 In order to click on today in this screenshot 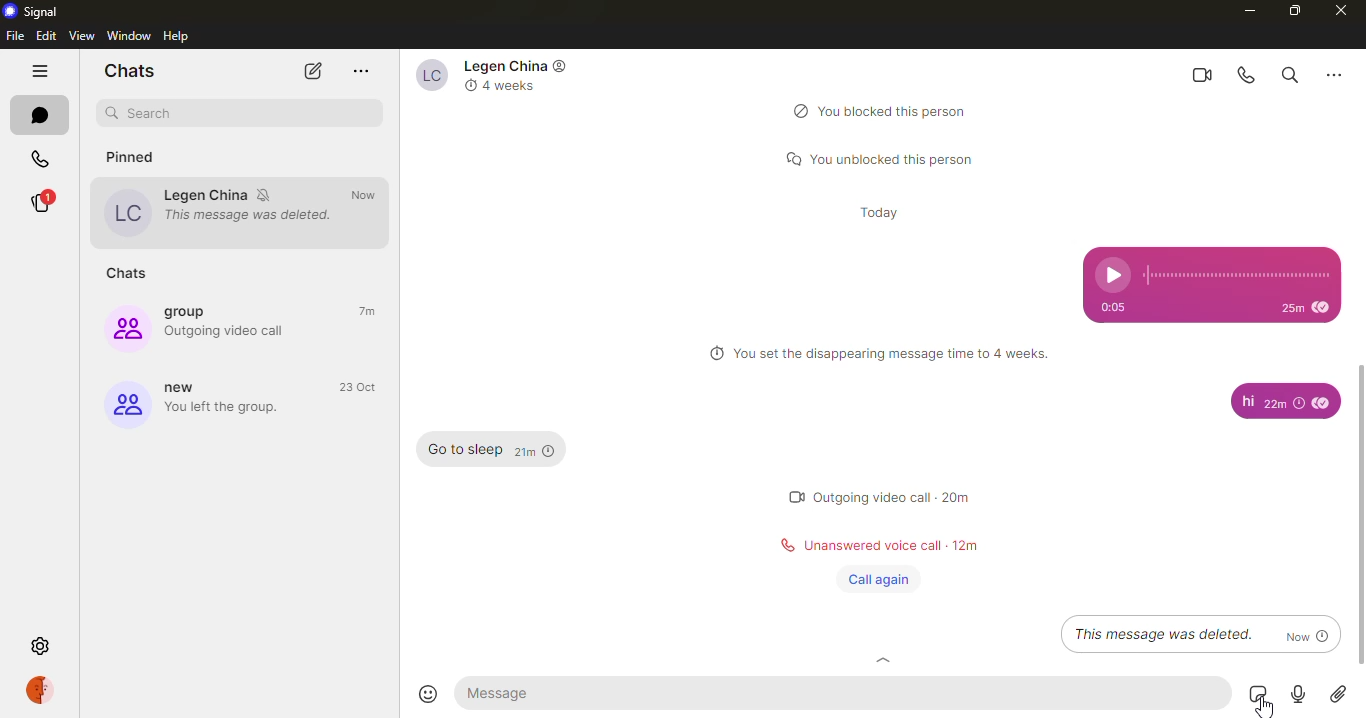, I will do `click(882, 211)`.